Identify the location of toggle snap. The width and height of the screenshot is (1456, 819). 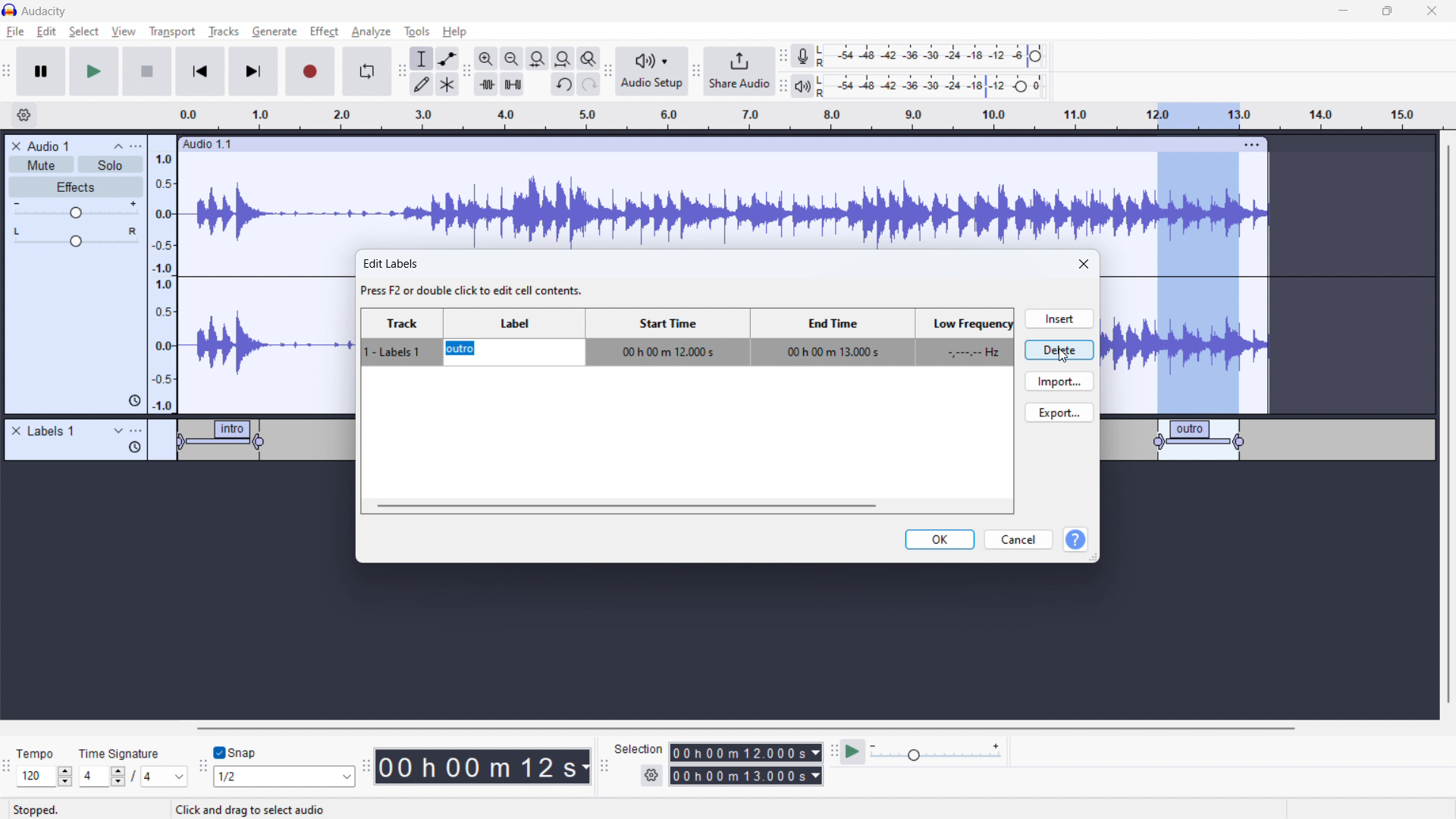
(236, 753).